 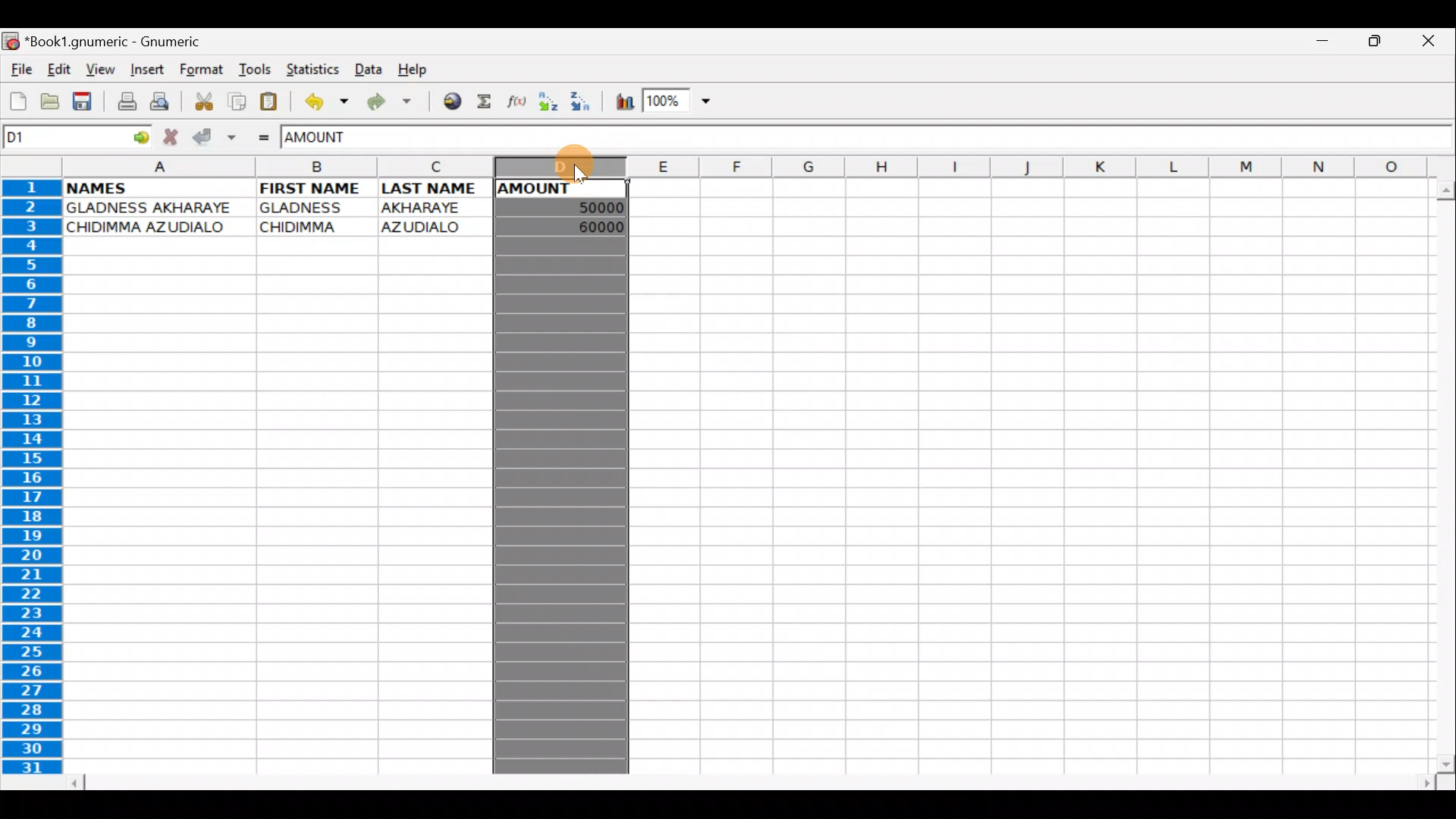 What do you see at coordinates (312, 208) in the screenshot?
I see `GLADNESS` at bounding box center [312, 208].